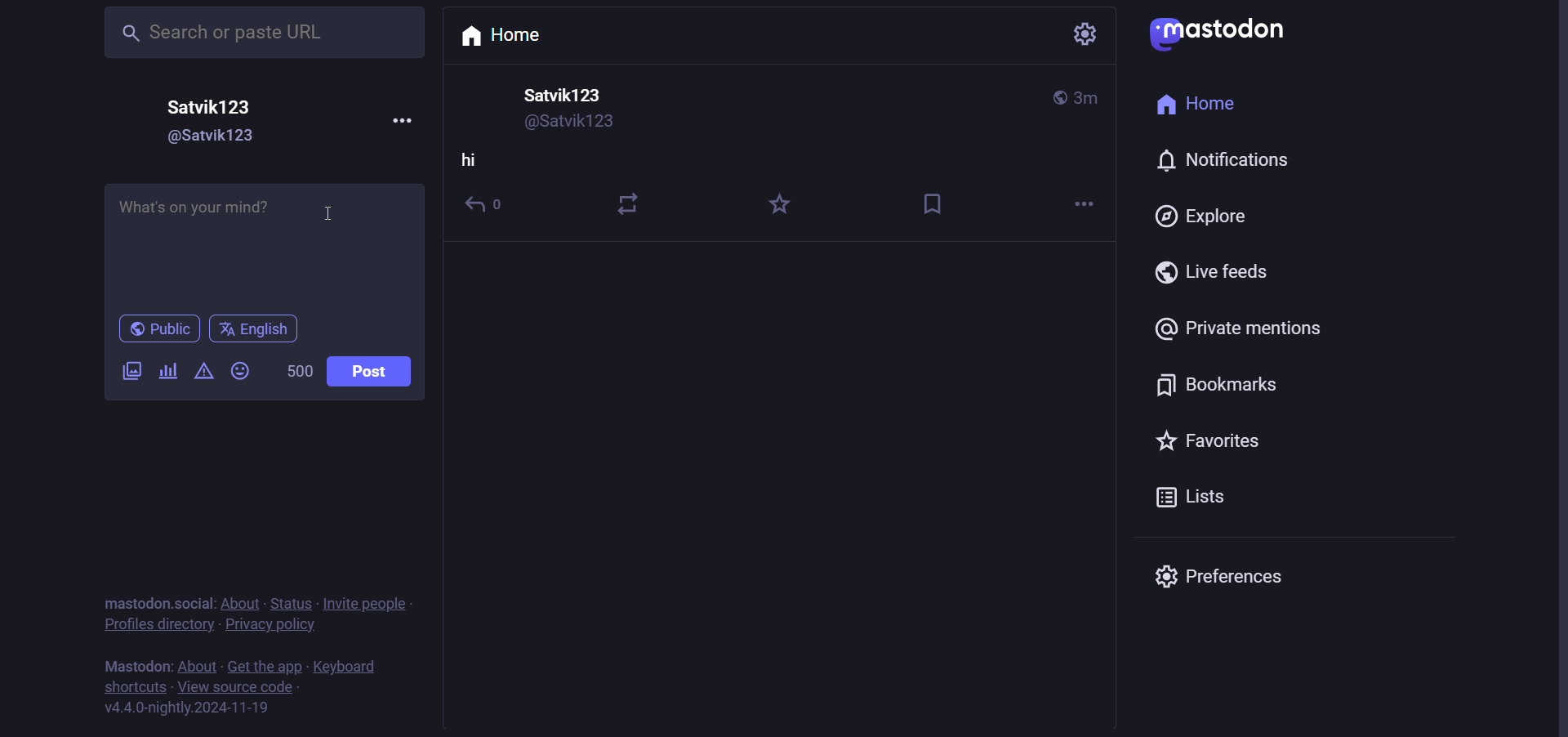 The height and width of the screenshot is (737, 1568). Describe the element at coordinates (345, 209) in the screenshot. I see `cursor` at that location.